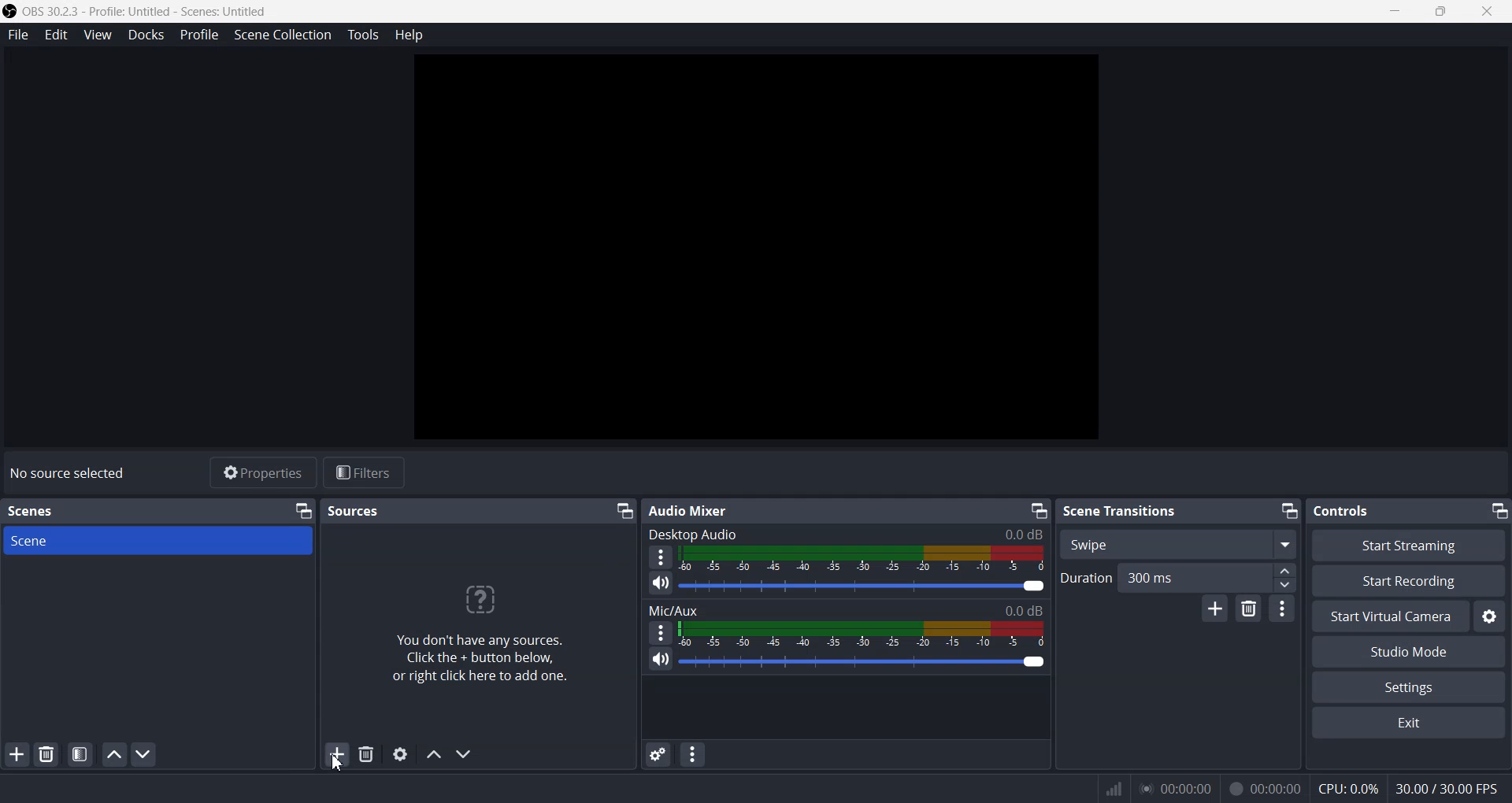 This screenshot has height=803, width=1512. I want to click on Minimize, so click(1392, 12).